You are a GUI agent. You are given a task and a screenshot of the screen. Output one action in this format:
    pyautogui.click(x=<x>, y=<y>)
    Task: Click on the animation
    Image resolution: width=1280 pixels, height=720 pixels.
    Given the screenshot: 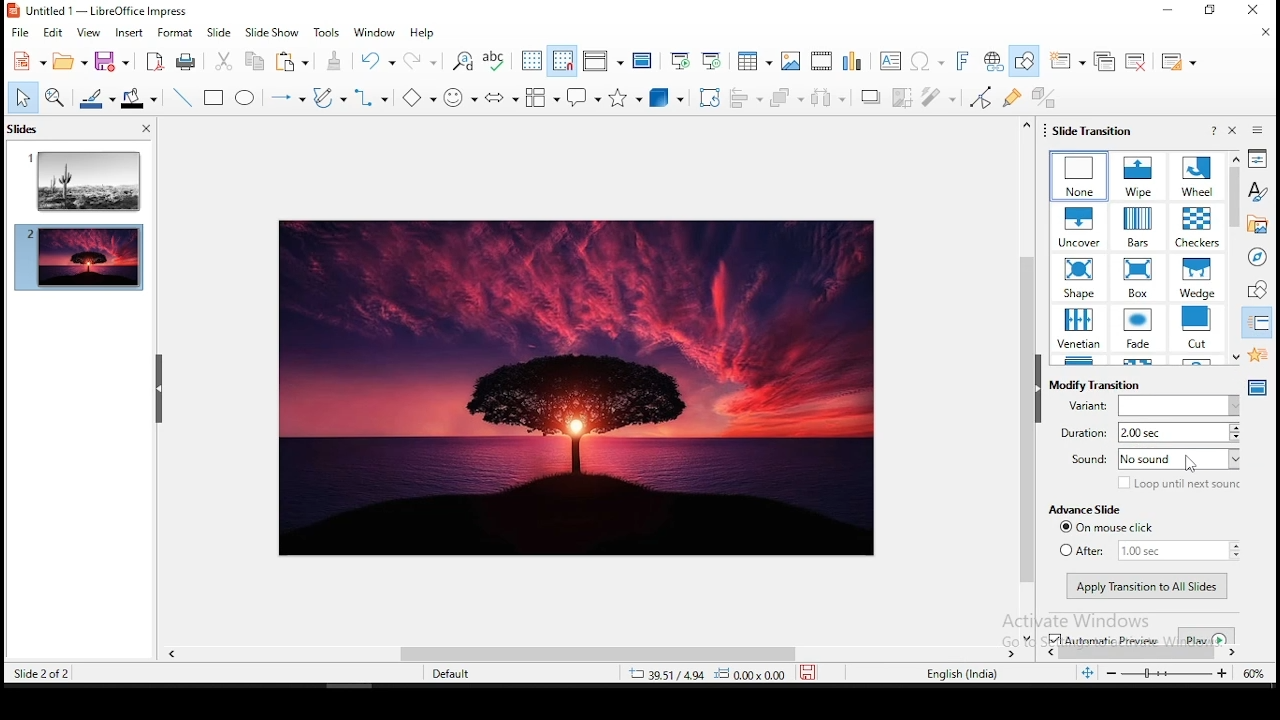 What is the action you would take?
    pyautogui.click(x=1256, y=353)
    